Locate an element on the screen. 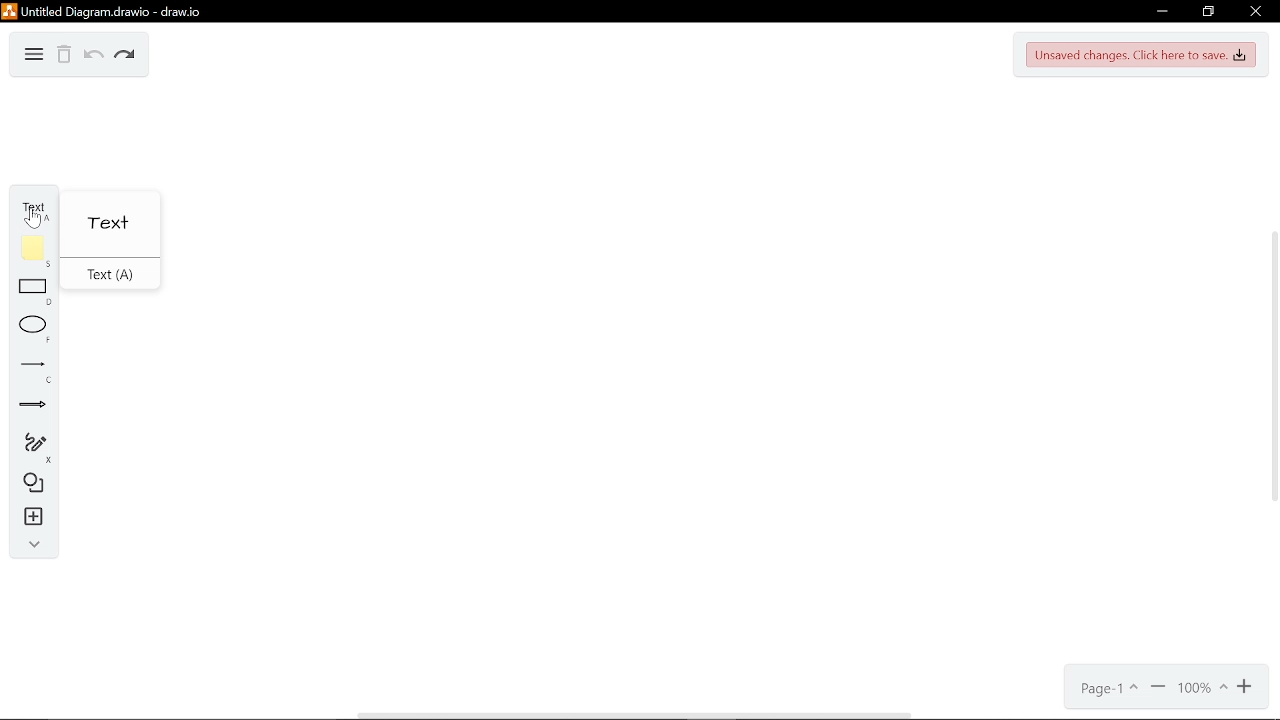 The height and width of the screenshot is (720, 1280). cursor is located at coordinates (31, 220).